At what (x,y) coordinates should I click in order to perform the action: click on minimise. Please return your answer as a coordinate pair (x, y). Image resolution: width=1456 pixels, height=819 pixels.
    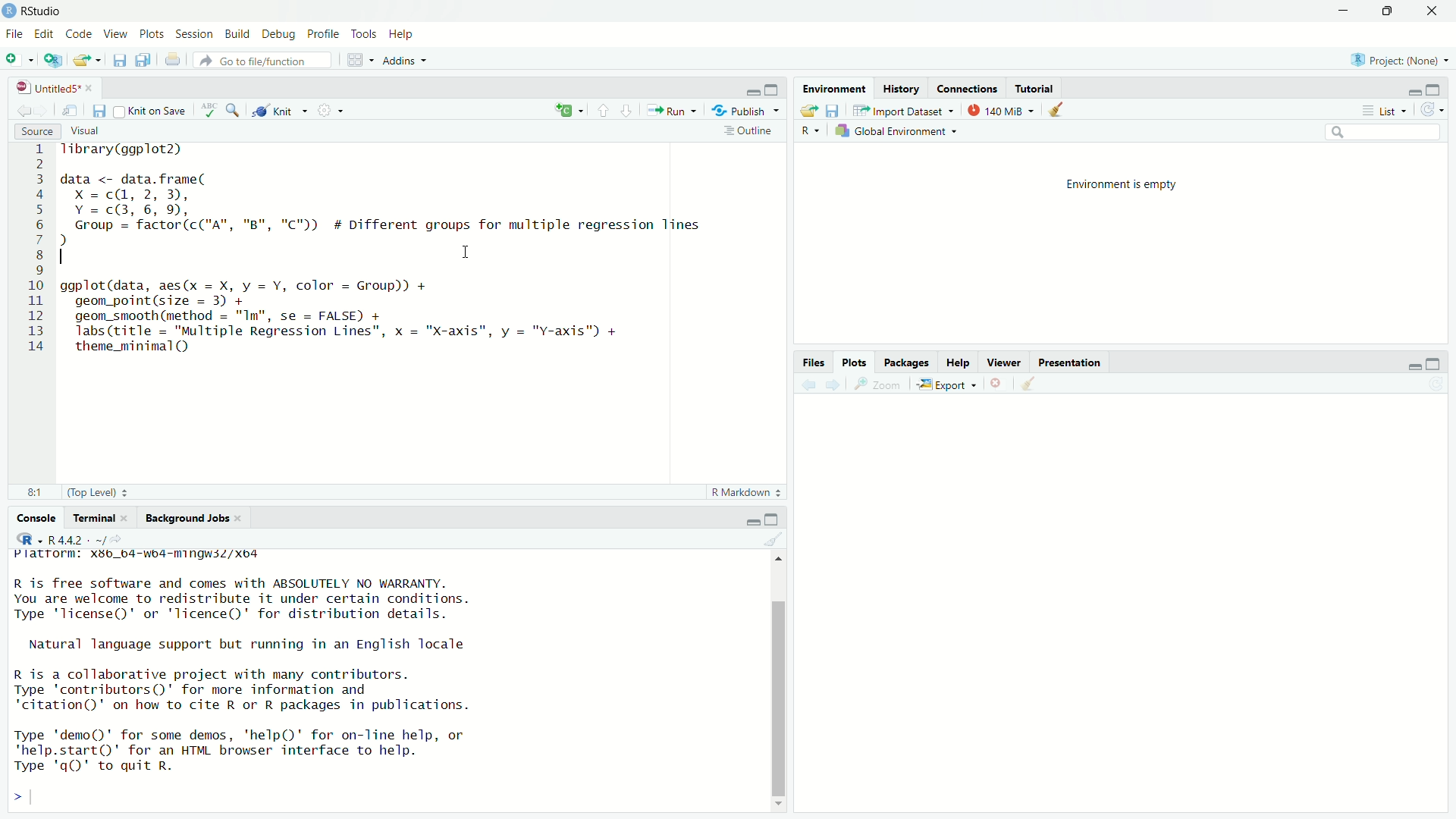
    Looking at the image, I should click on (1343, 9).